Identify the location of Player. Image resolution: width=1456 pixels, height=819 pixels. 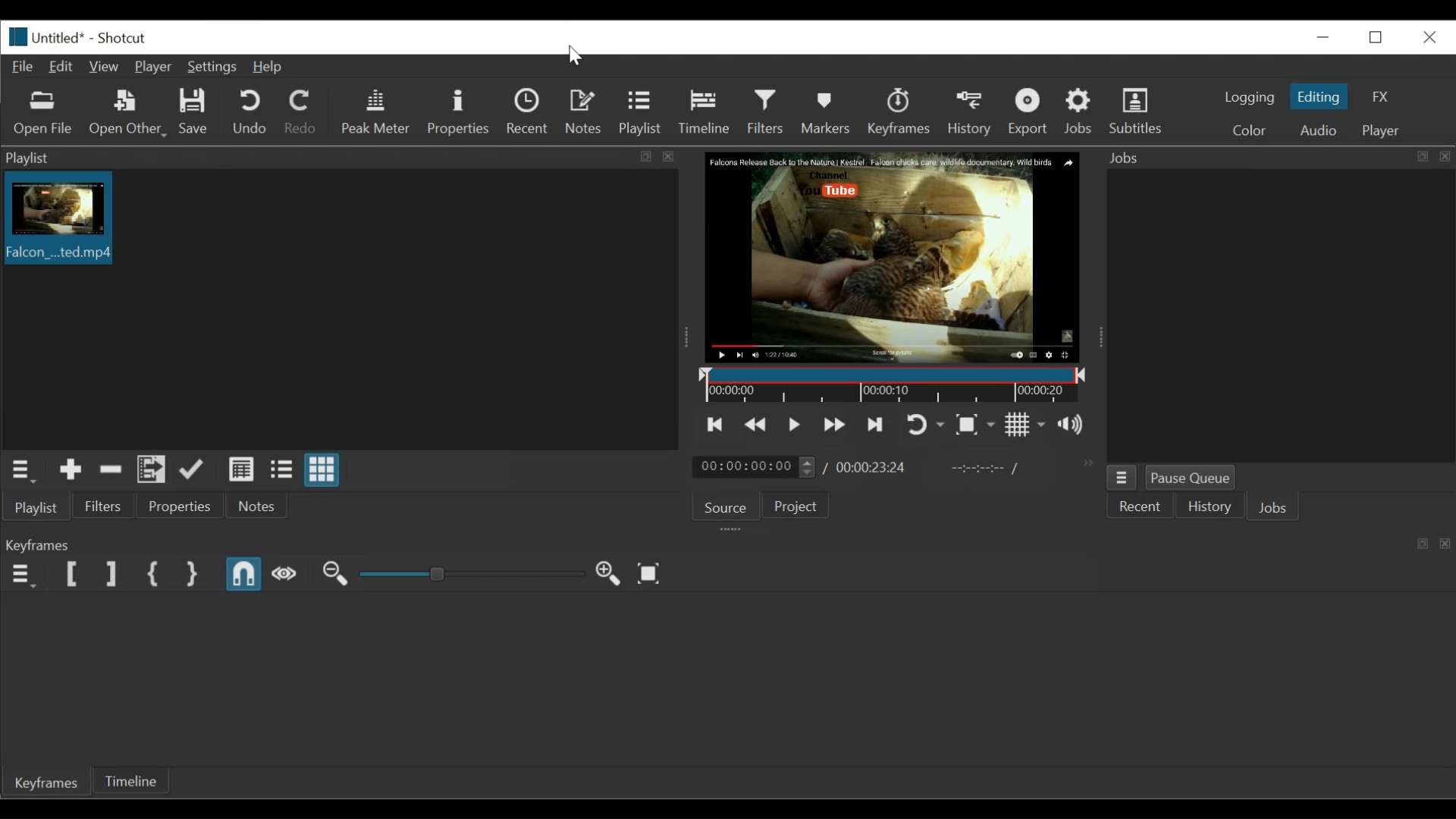
(1379, 130).